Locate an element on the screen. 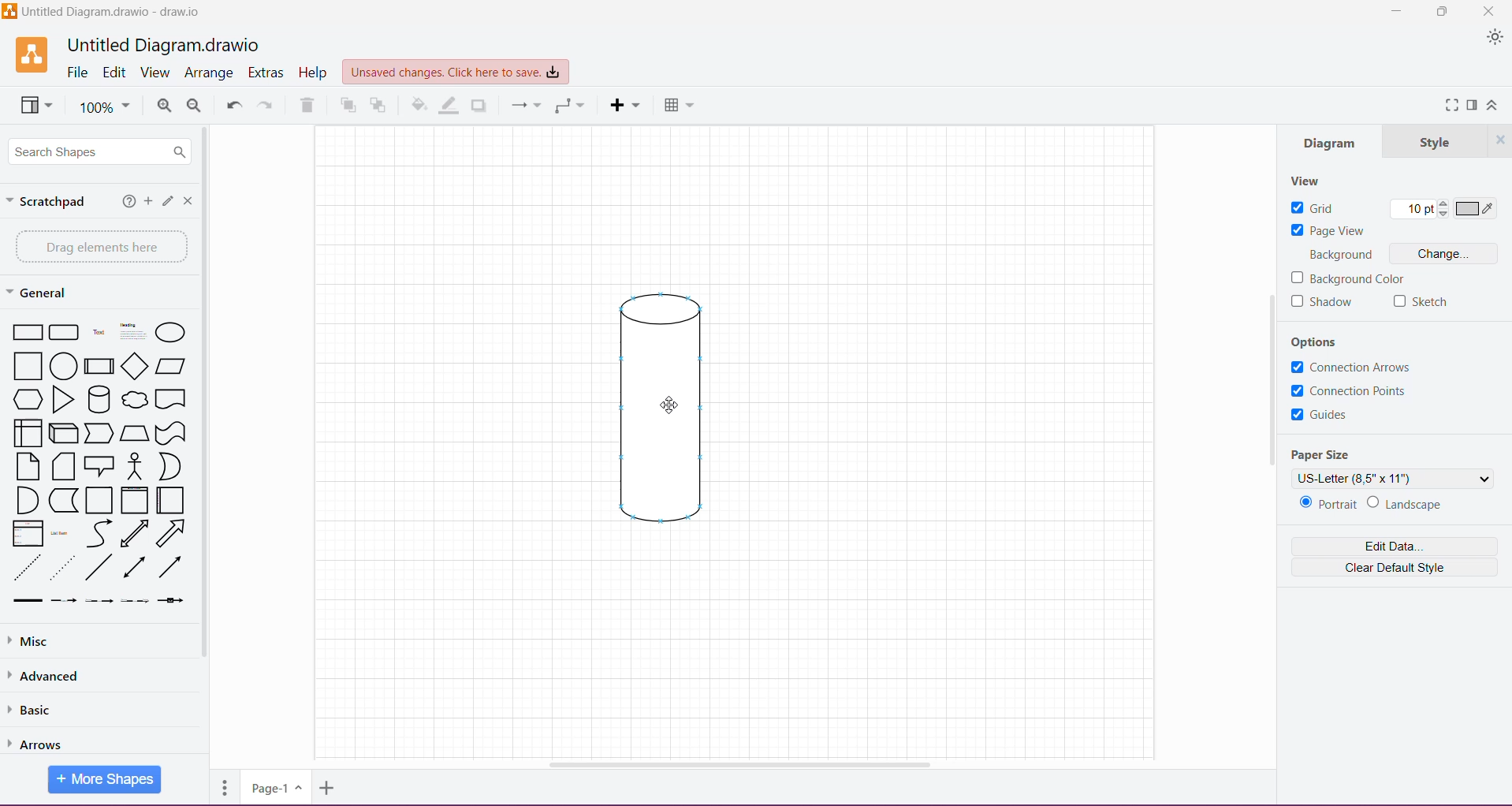 The width and height of the screenshot is (1512, 806). Application Logo is located at coordinates (24, 55).